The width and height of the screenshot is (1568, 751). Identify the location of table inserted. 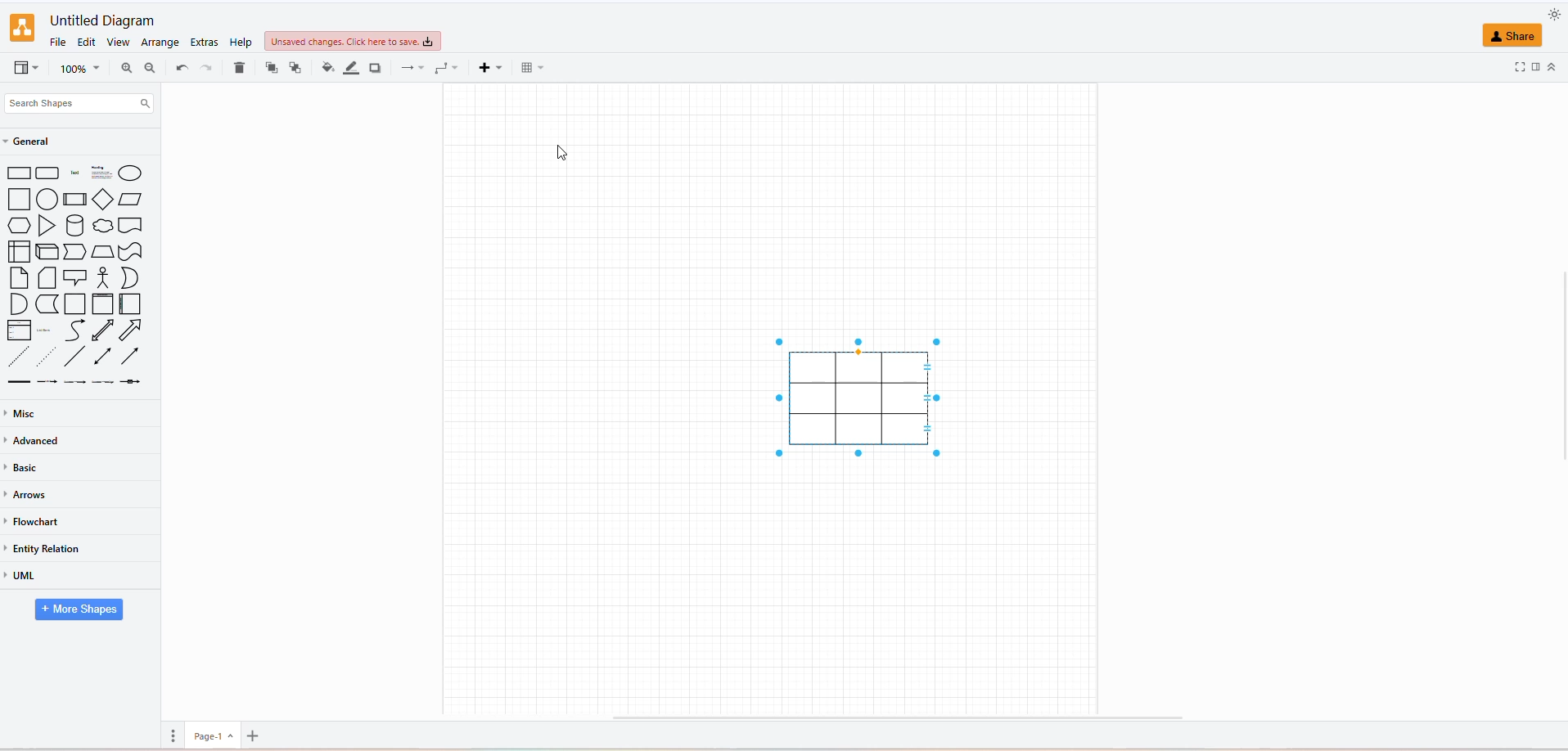
(861, 401).